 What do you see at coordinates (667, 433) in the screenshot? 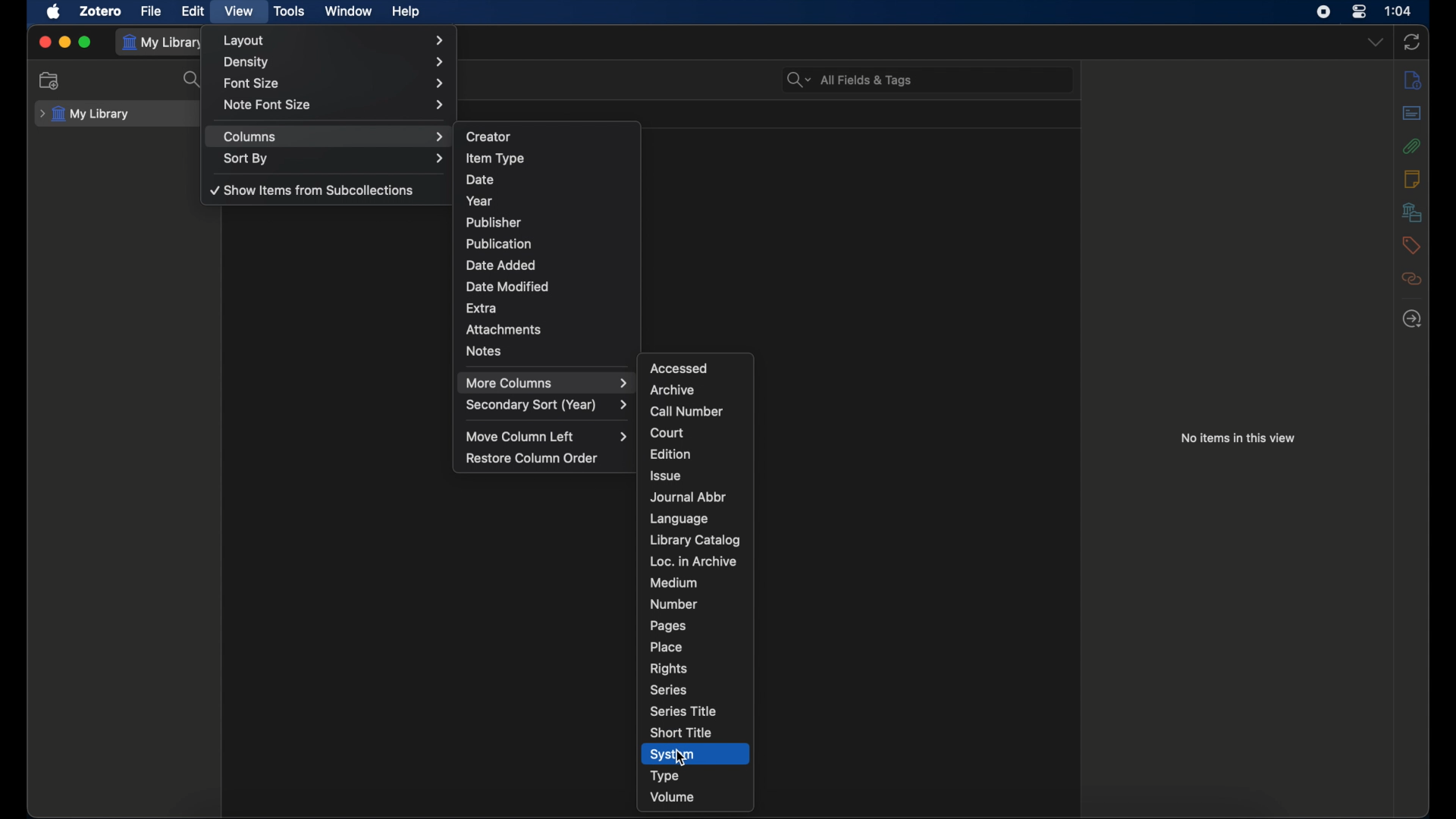
I see `court` at bounding box center [667, 433].